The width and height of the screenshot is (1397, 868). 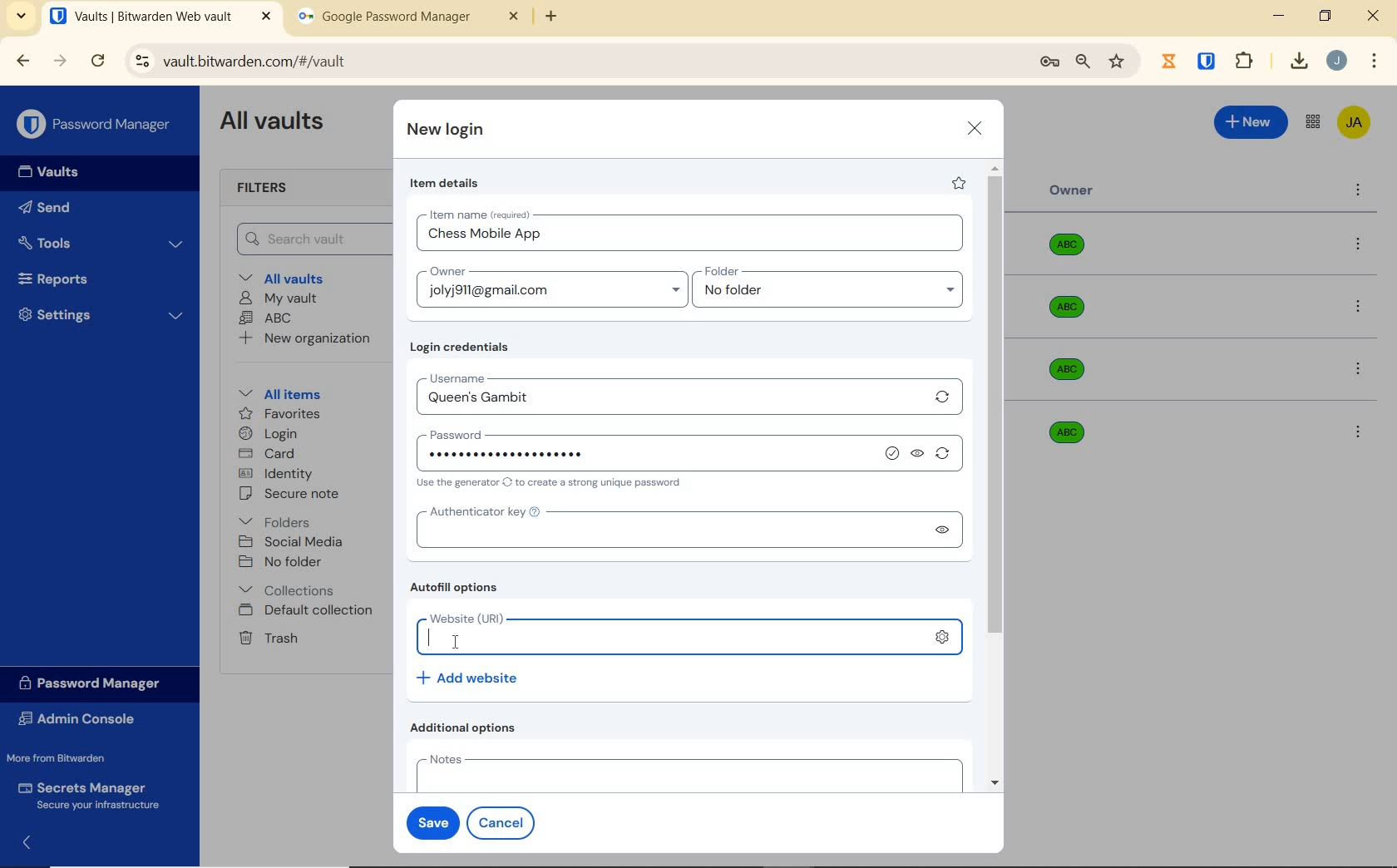 I want to click on Owner organization, so click(x=1073, y=251).